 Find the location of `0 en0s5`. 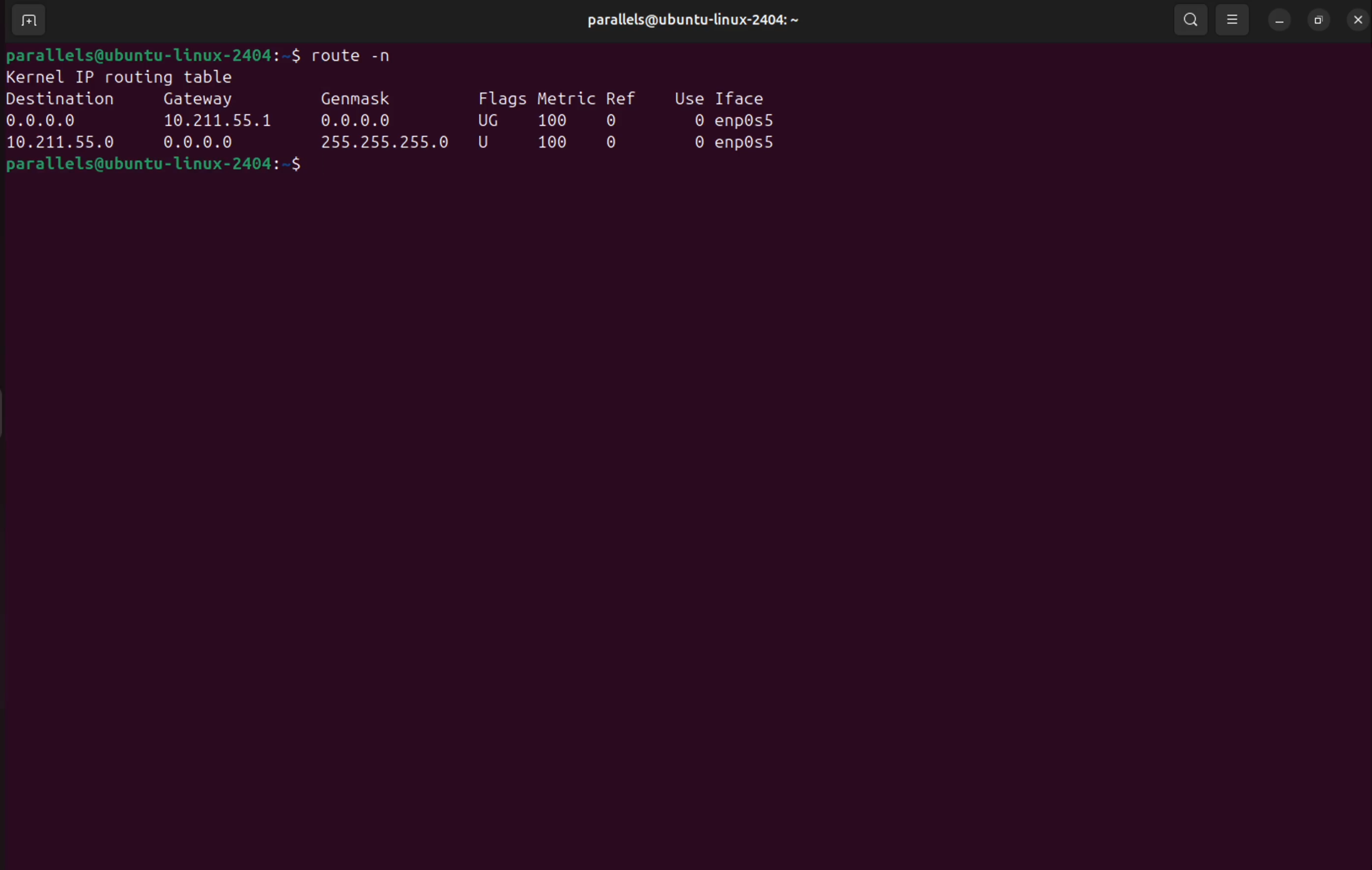

0 en0s5 is located at coordinates (742, 121).